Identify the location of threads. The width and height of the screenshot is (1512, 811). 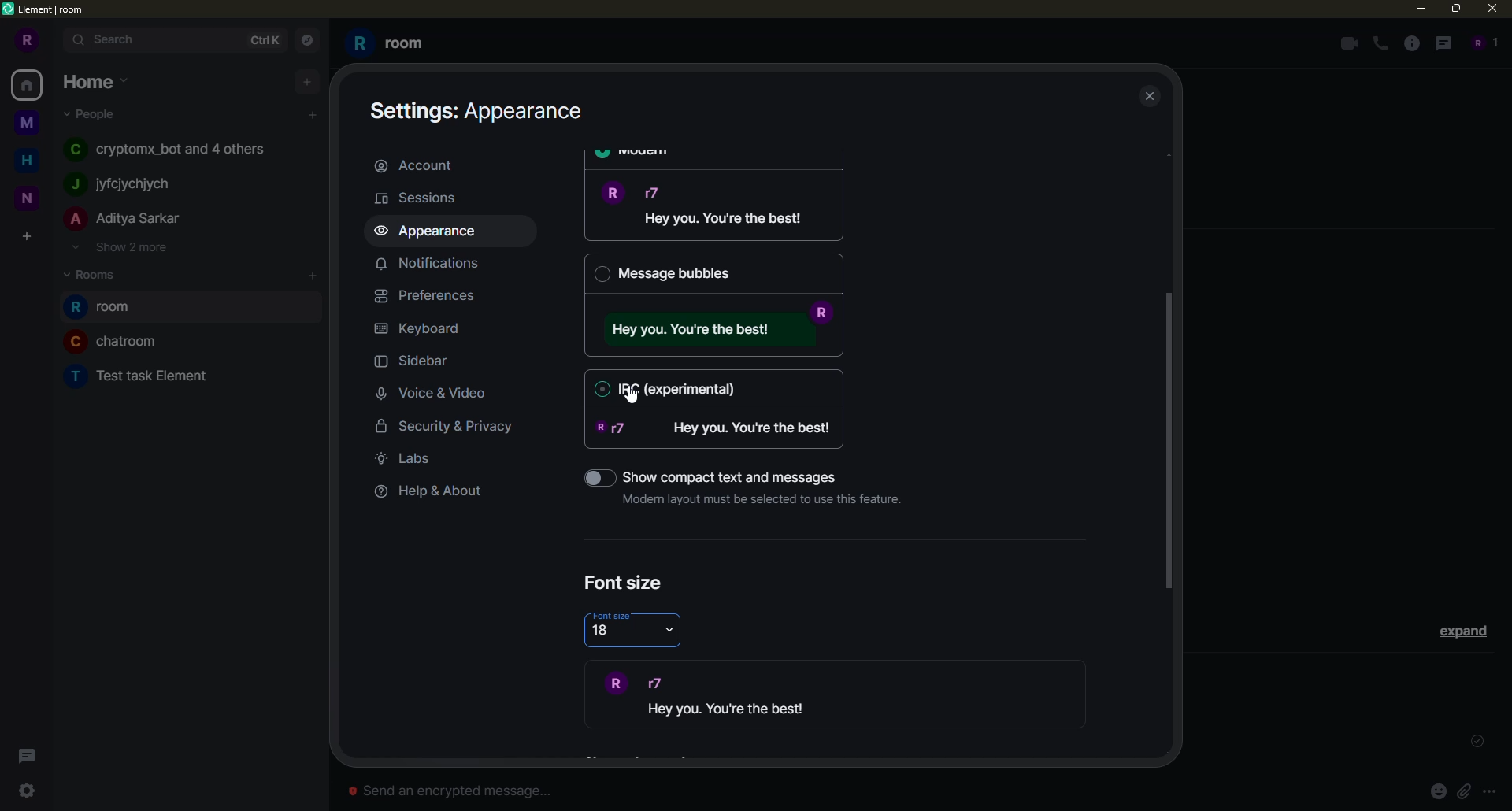
(1442, 43).